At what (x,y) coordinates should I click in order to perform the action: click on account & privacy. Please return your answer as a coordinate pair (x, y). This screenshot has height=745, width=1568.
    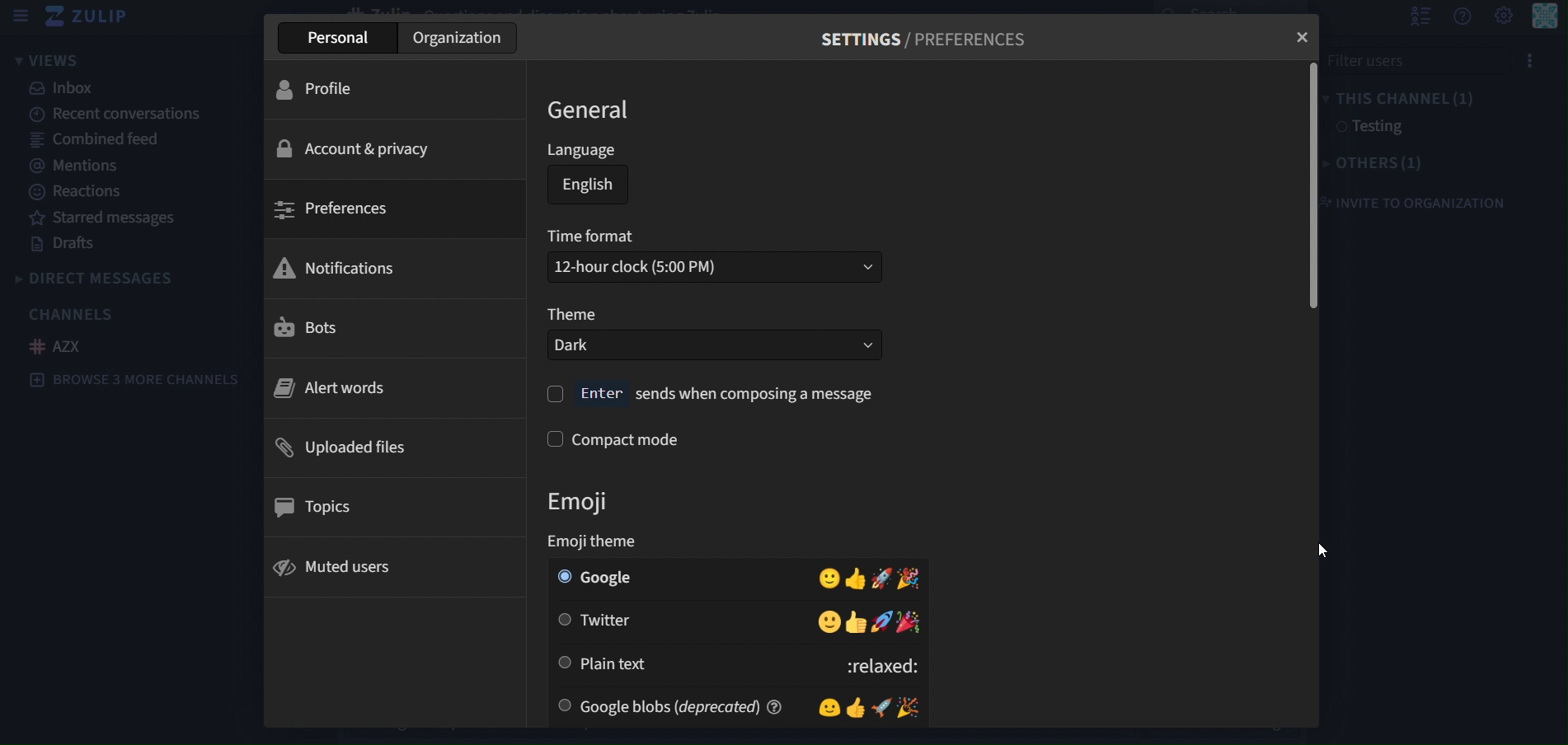
    Looking at the image, I should click on (358, 147).